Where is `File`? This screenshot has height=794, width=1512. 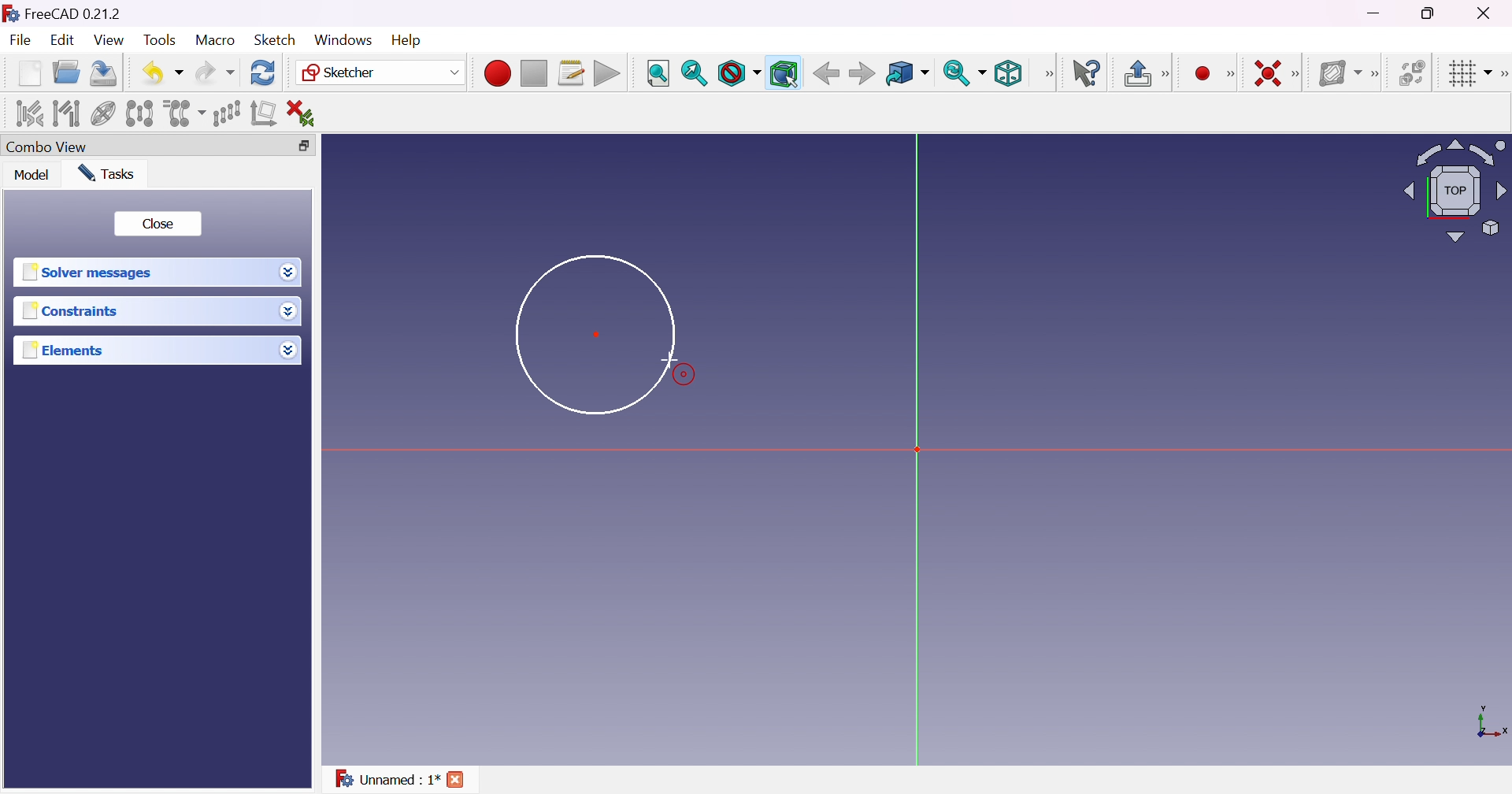 File is located at coordinates (20, 40).